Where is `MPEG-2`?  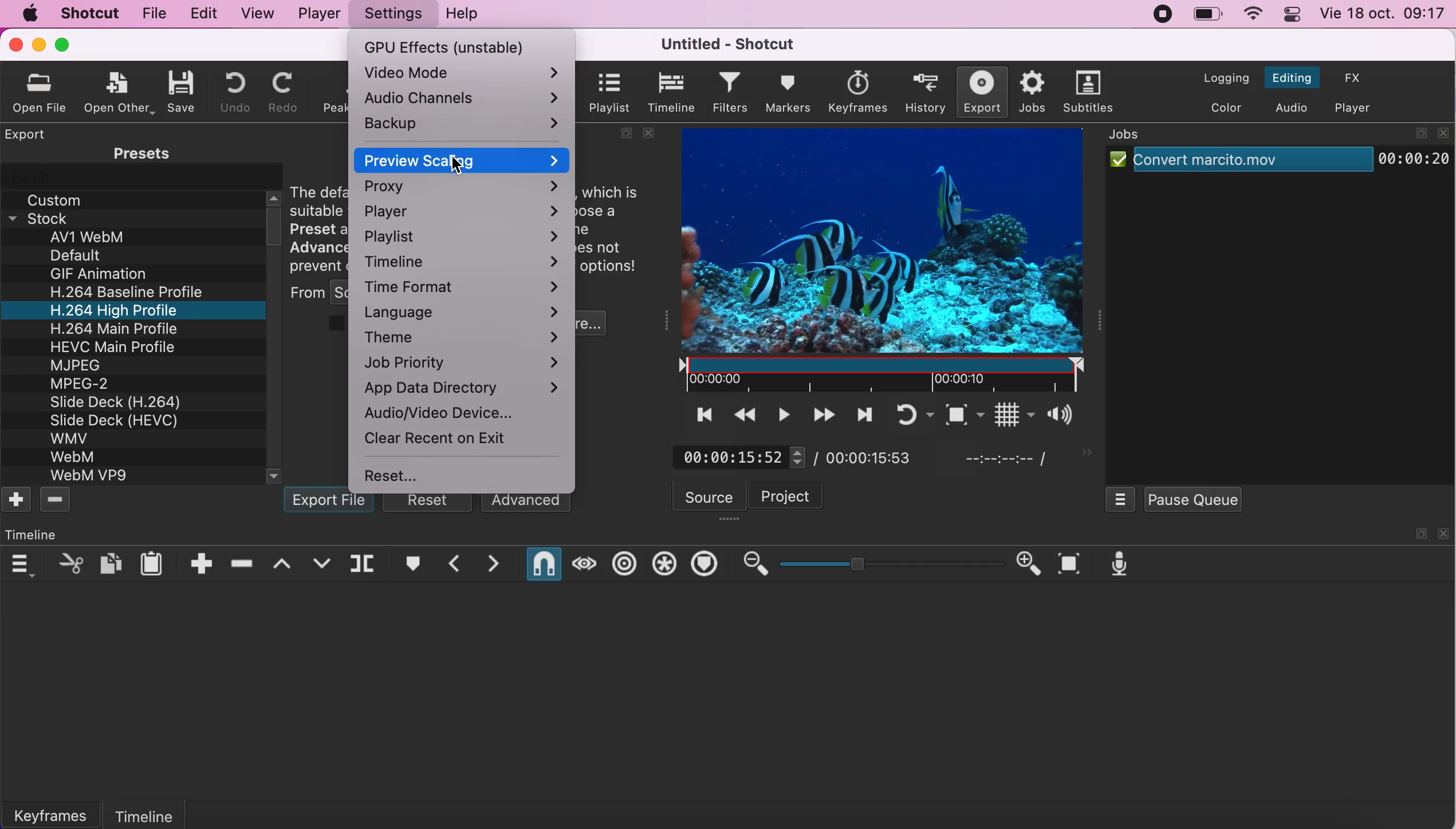
MPEG-2 is located at coordinates (86, 385).